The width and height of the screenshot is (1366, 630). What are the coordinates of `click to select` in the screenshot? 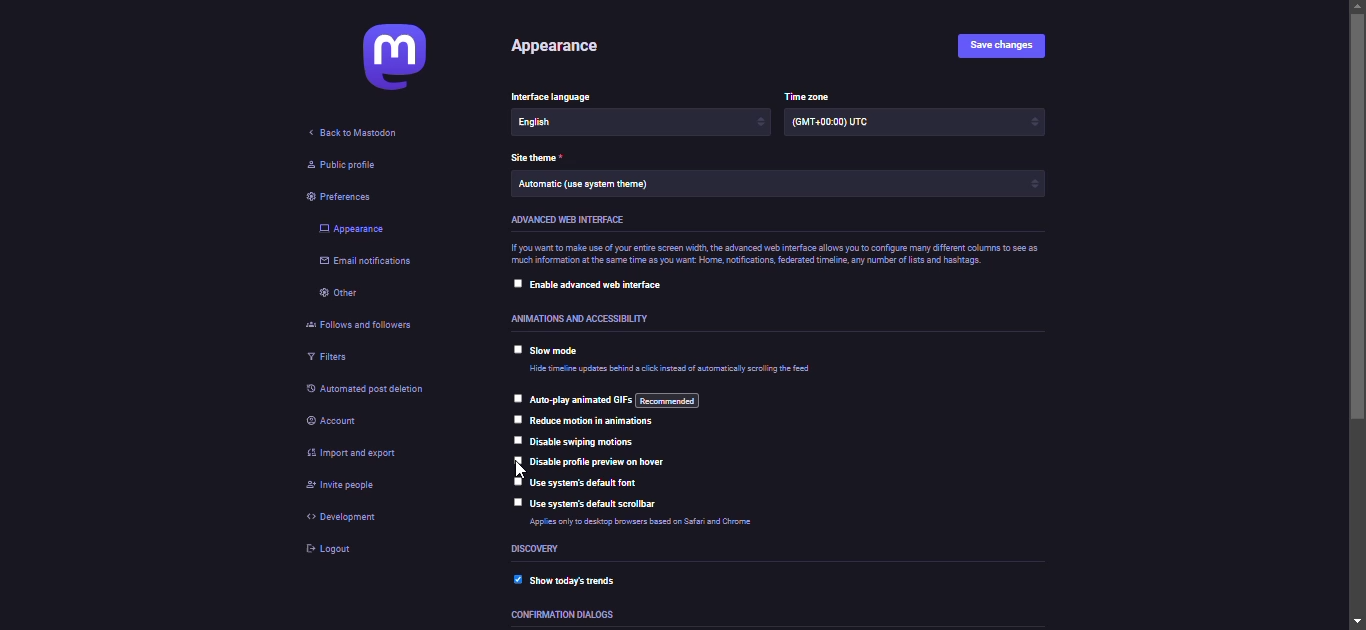 It's located at (517, 439).